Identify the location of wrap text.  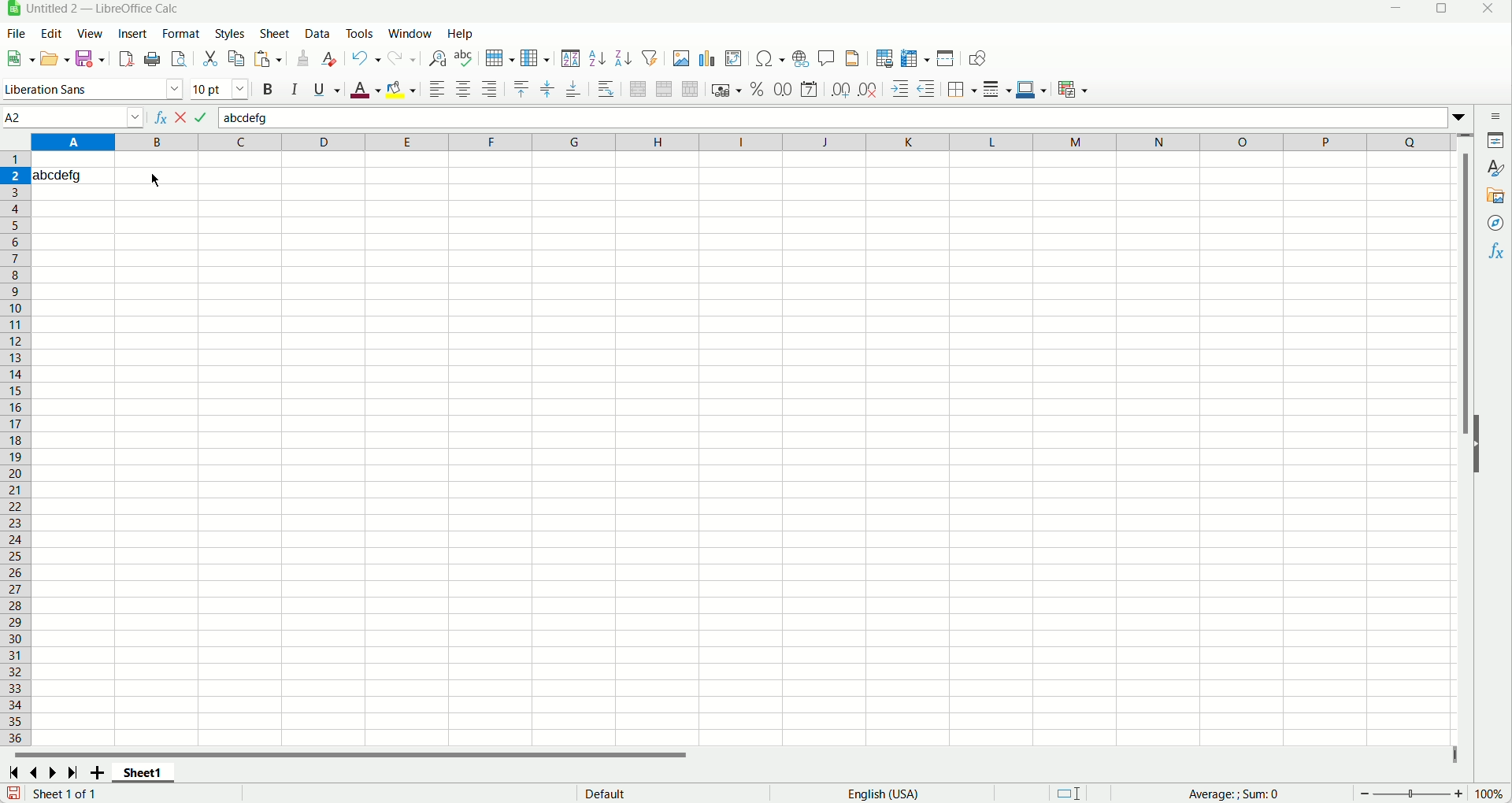
(608, 91).